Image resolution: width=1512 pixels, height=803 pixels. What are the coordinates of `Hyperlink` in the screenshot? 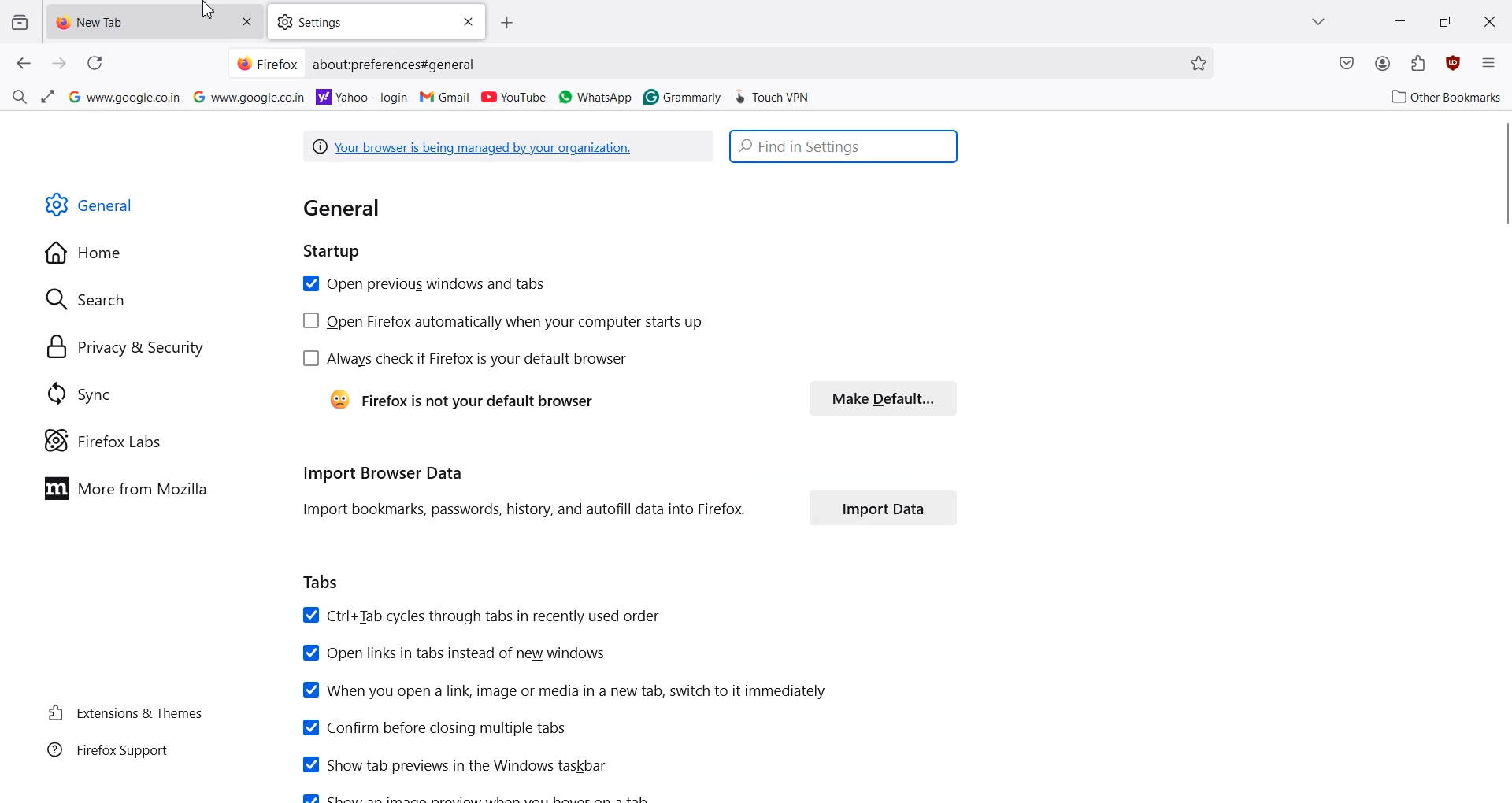 It's located at (510, 147).